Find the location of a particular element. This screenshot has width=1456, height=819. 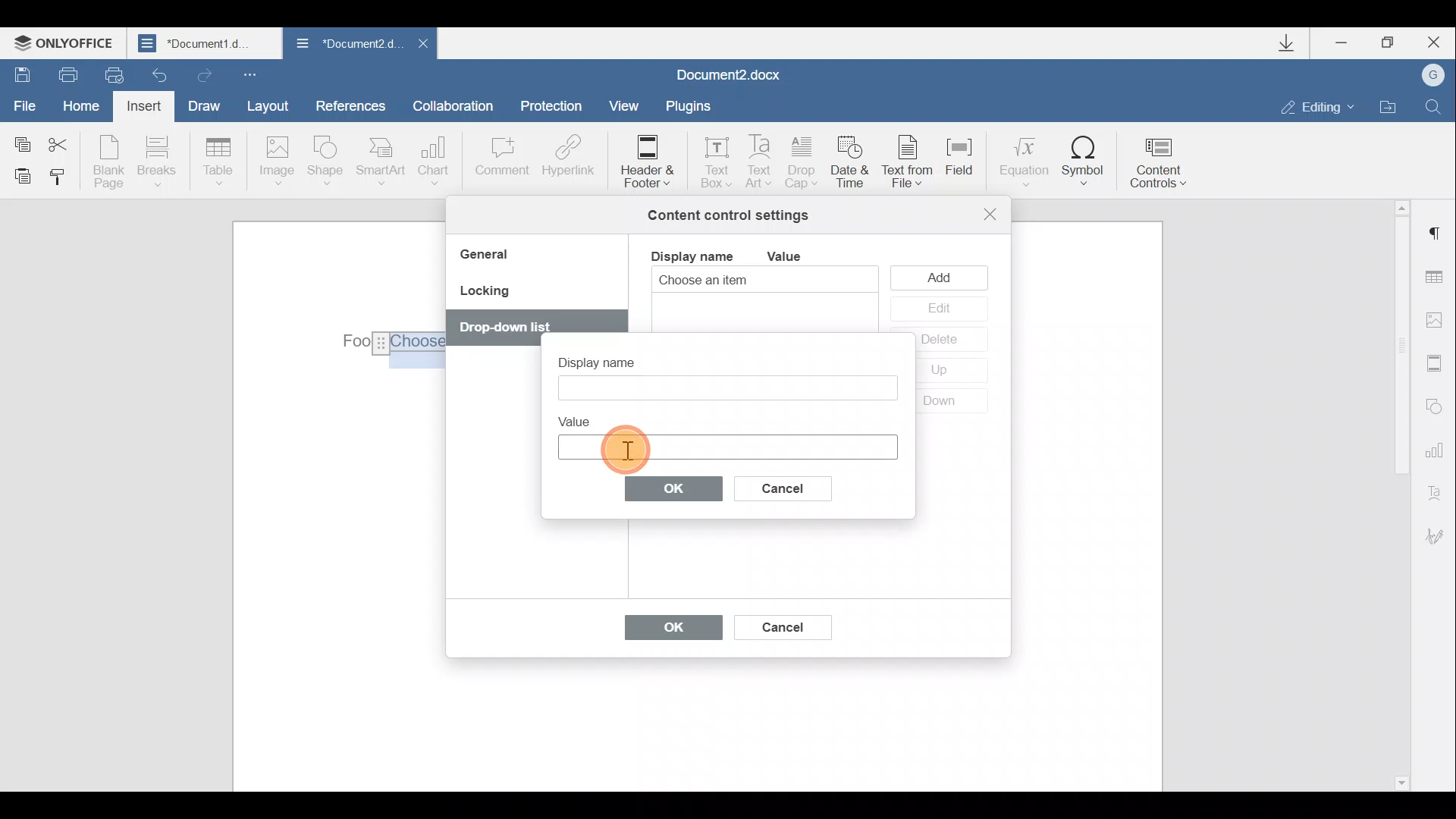

Cut is located at coordinates (67, 142).